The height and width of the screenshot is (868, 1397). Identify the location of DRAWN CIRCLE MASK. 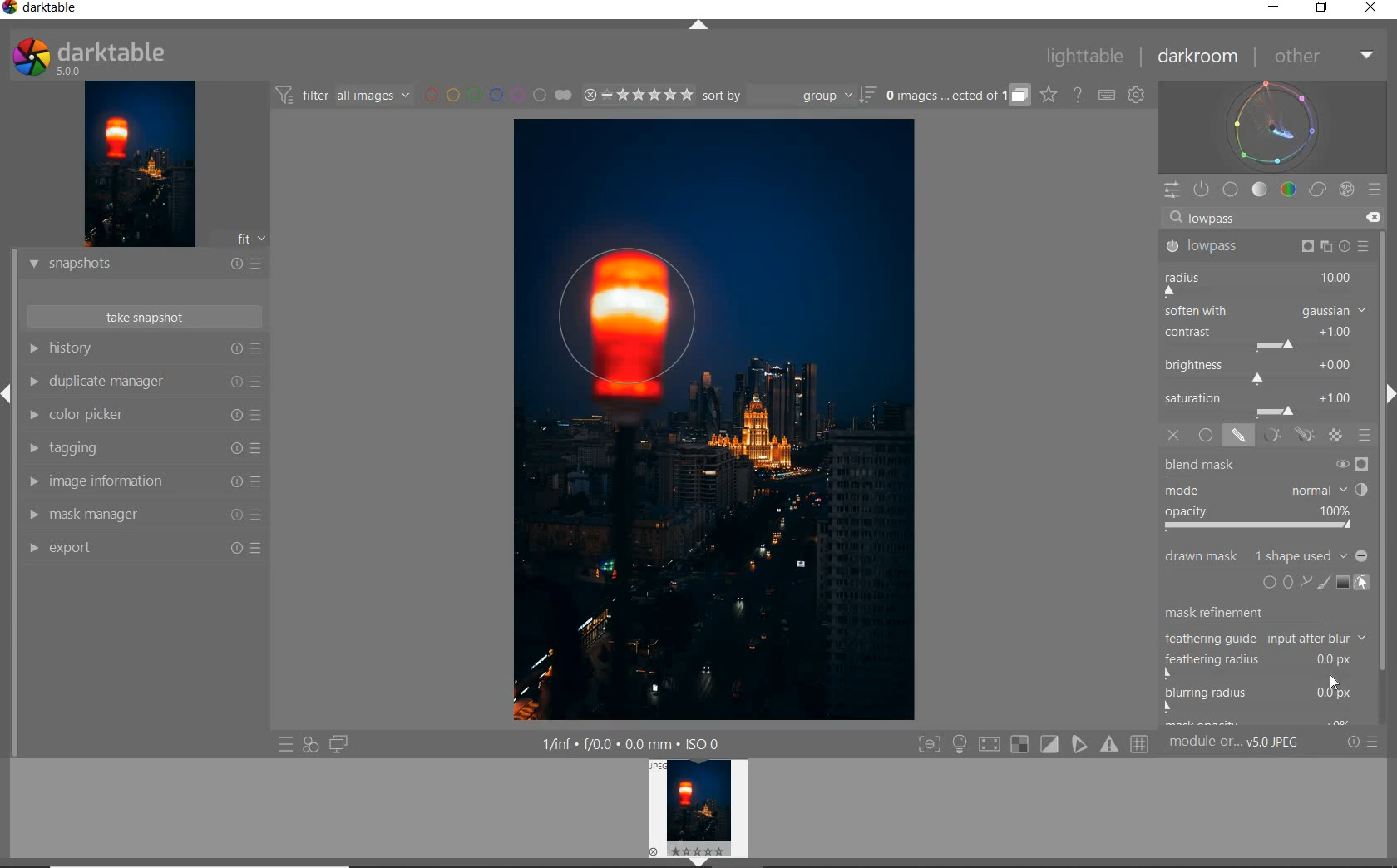
(644, 318).